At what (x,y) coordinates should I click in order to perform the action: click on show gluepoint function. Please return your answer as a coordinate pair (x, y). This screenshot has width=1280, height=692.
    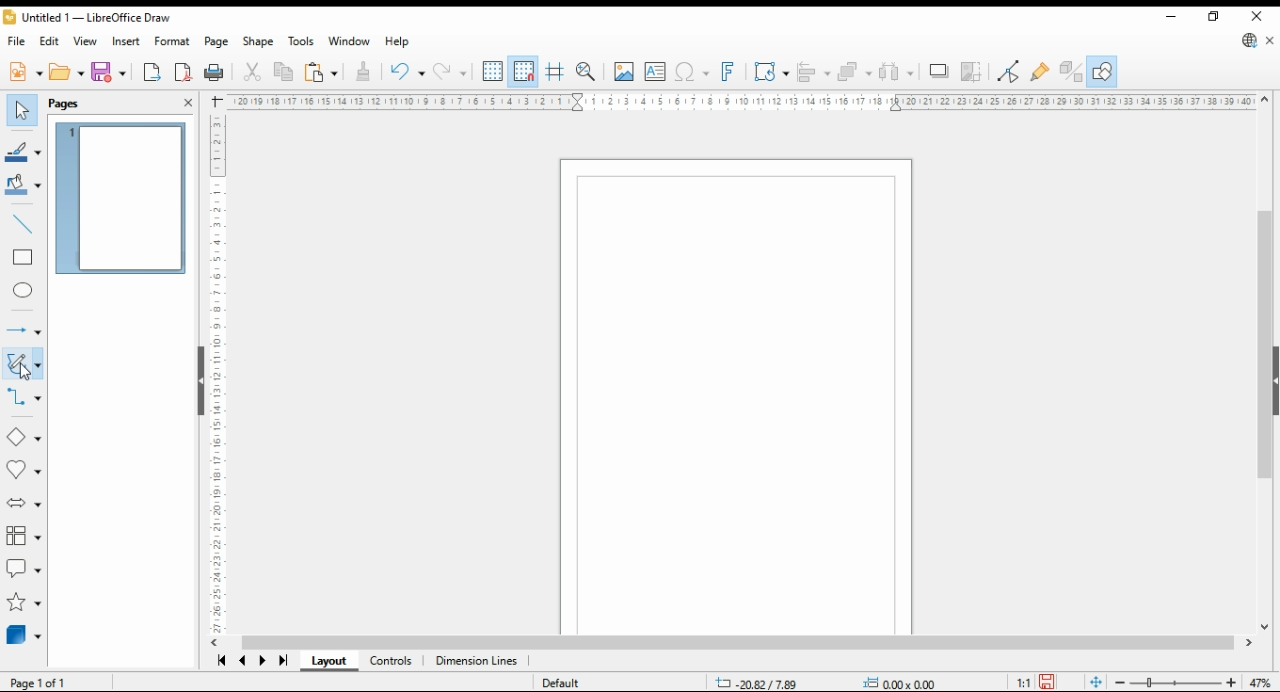
    Looking at the image, I should click on (1041, 72).